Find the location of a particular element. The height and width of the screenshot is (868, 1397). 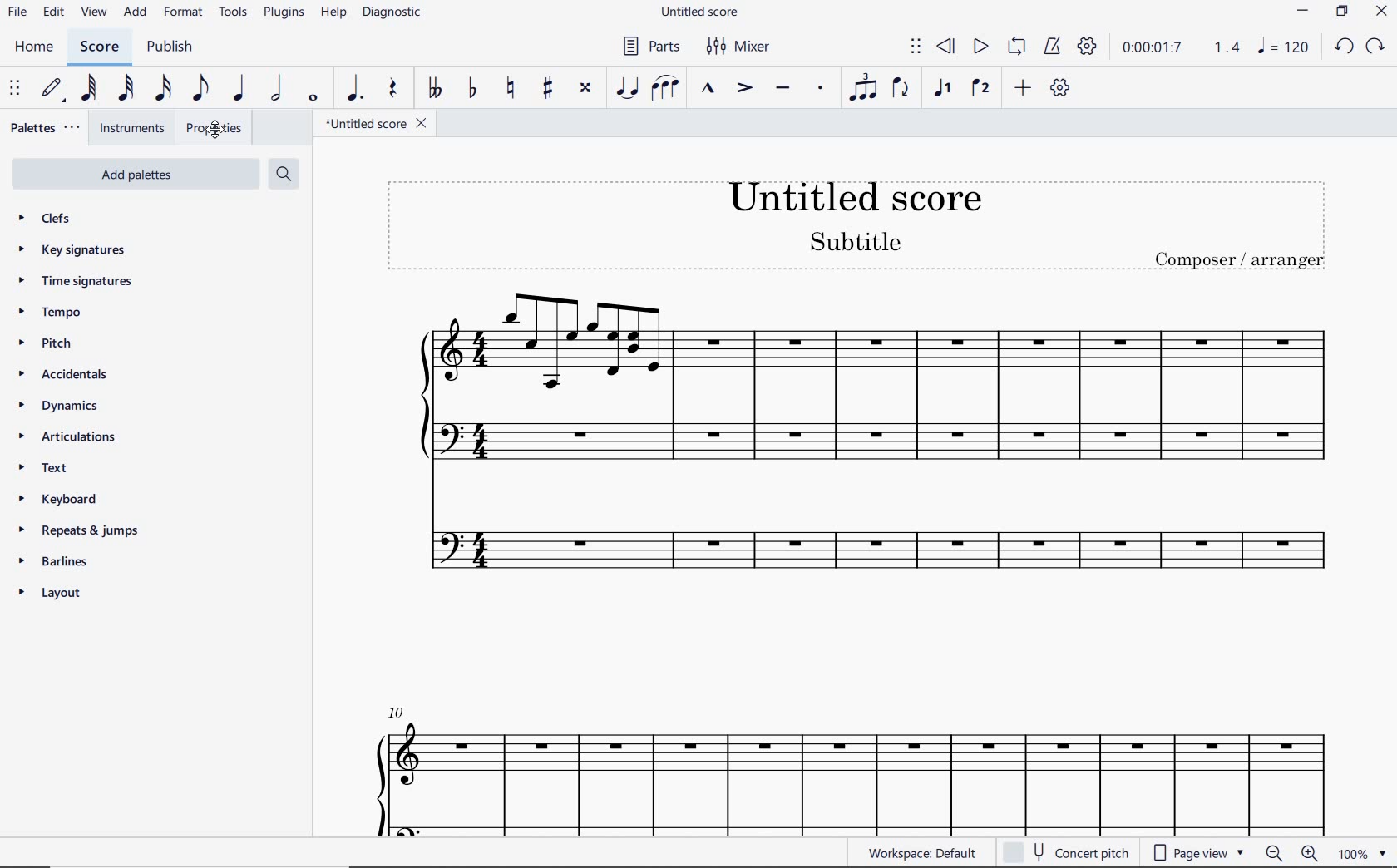

TOGGLE DOUBLE-SHARP is located at coordinates (585, 88).